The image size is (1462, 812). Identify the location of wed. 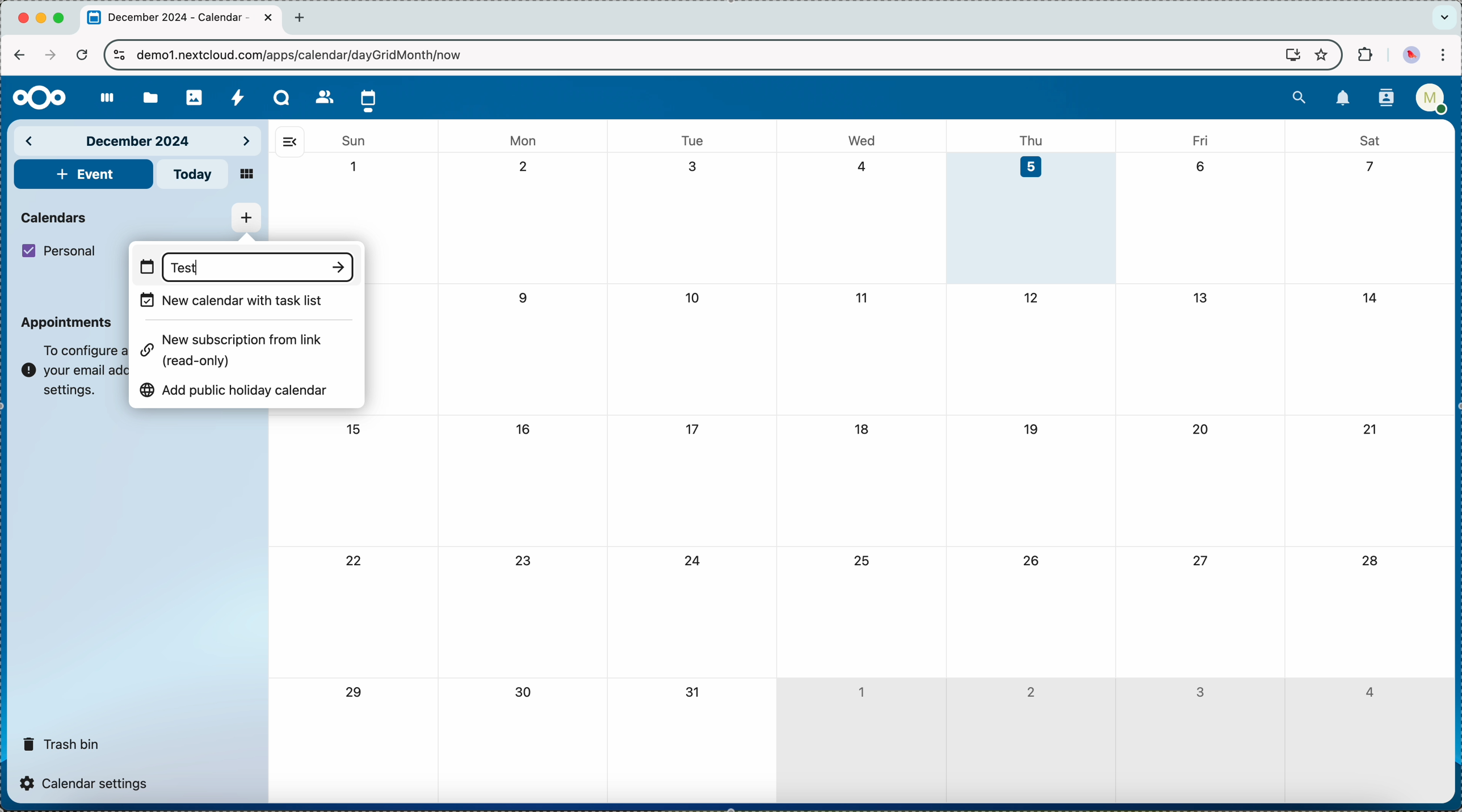
(863, 140).